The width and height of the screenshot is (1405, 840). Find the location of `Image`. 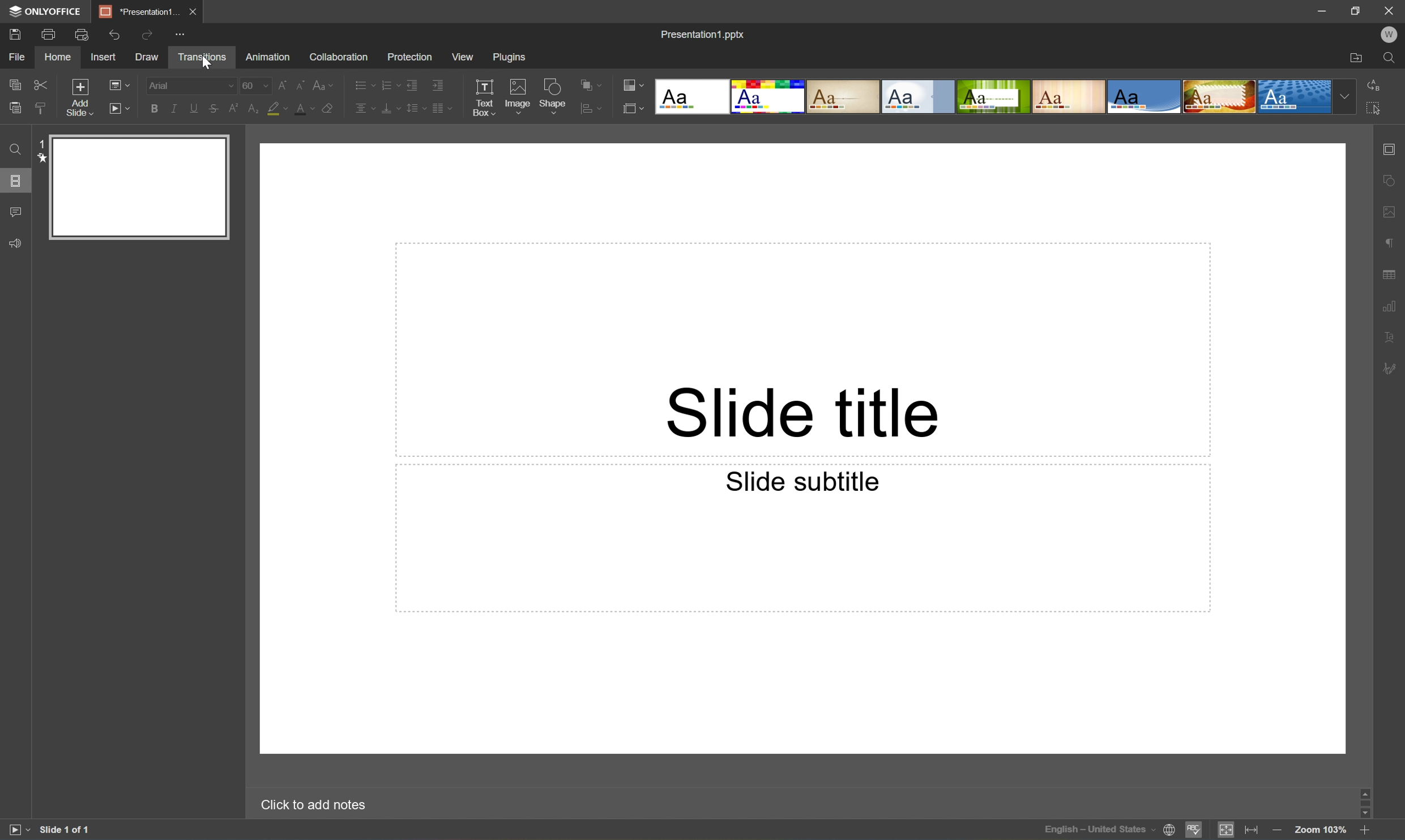

Image is located at coordinates (518, 96).